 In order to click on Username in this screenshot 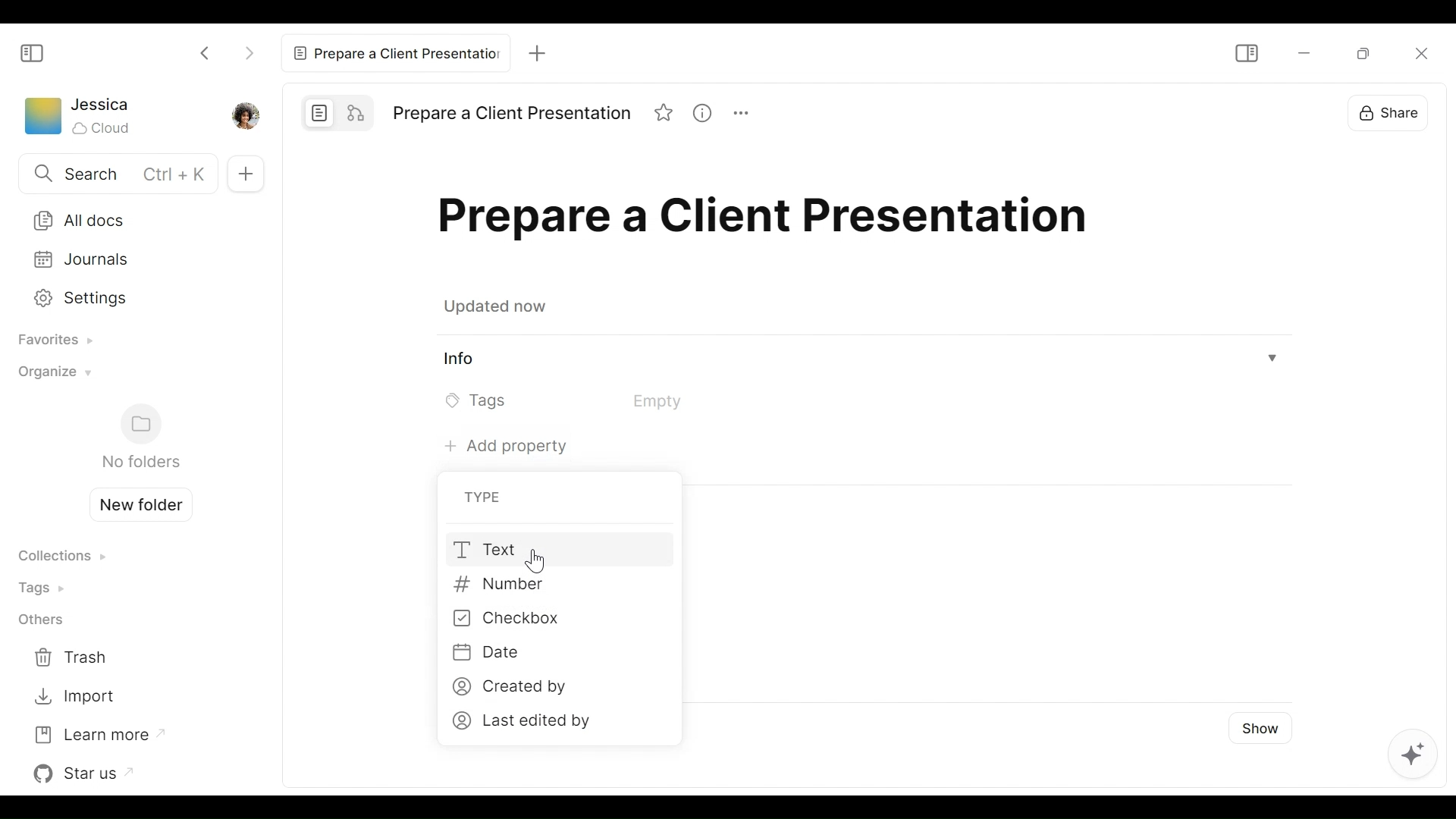, I will do `click(102, 105)`.